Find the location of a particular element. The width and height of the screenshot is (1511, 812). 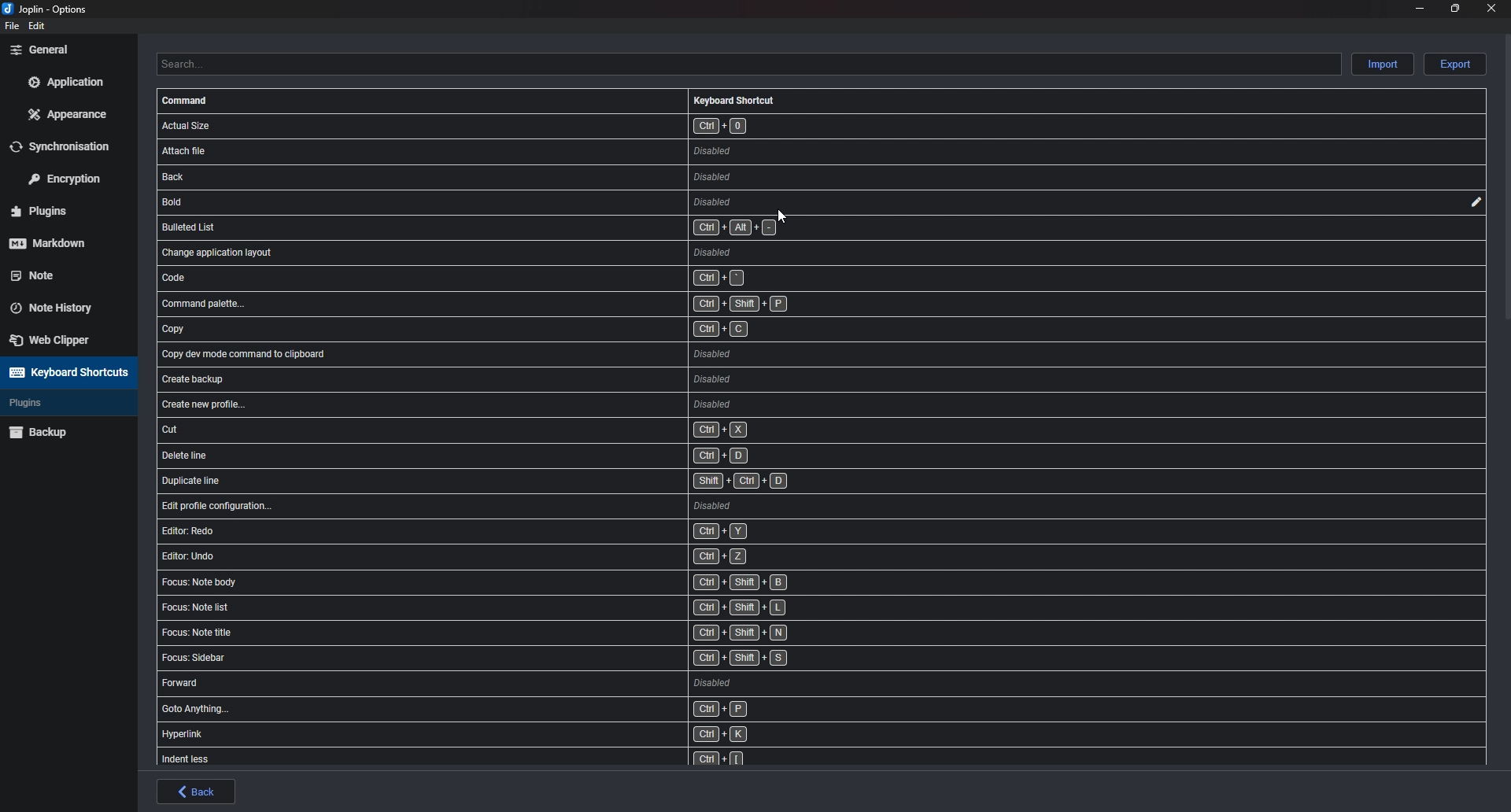

close is located at coordinates (1489, 8).